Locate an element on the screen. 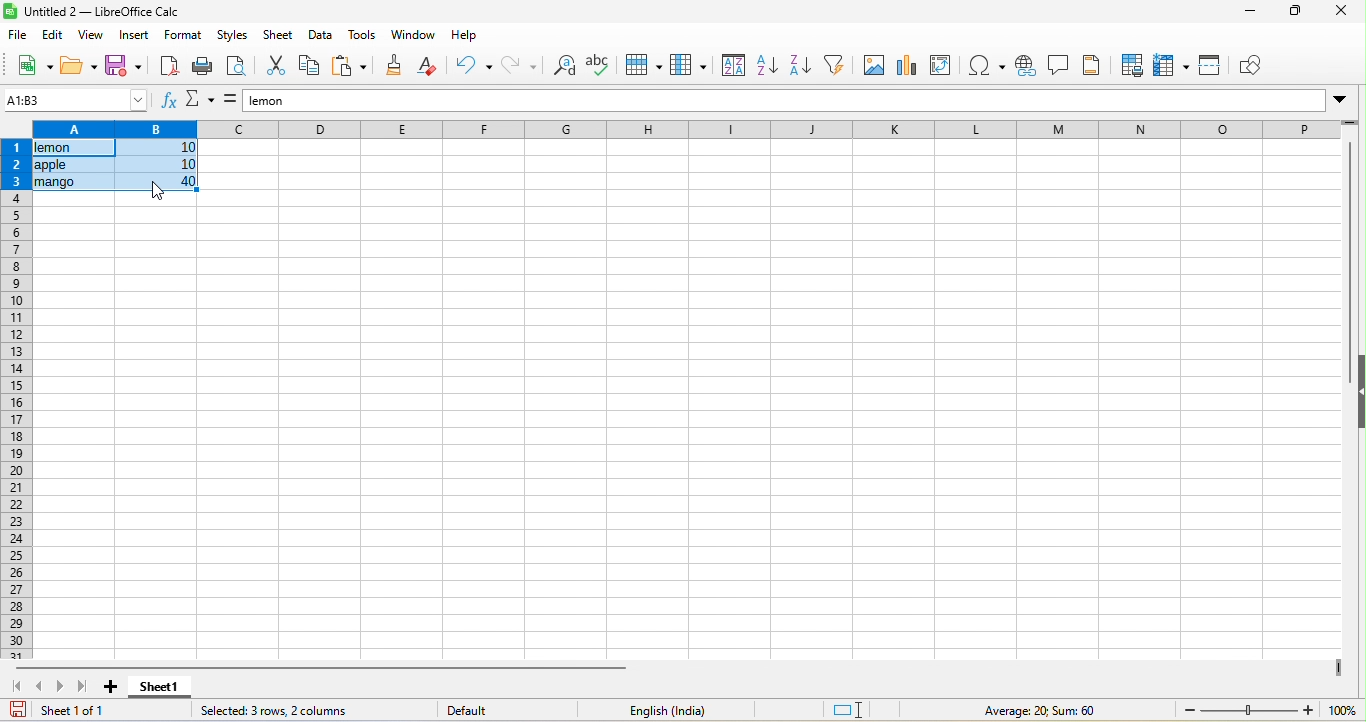 This screenshot has width=1366, height=722. selected 3 rows, 2 columns is located at coordinates (291, 710).